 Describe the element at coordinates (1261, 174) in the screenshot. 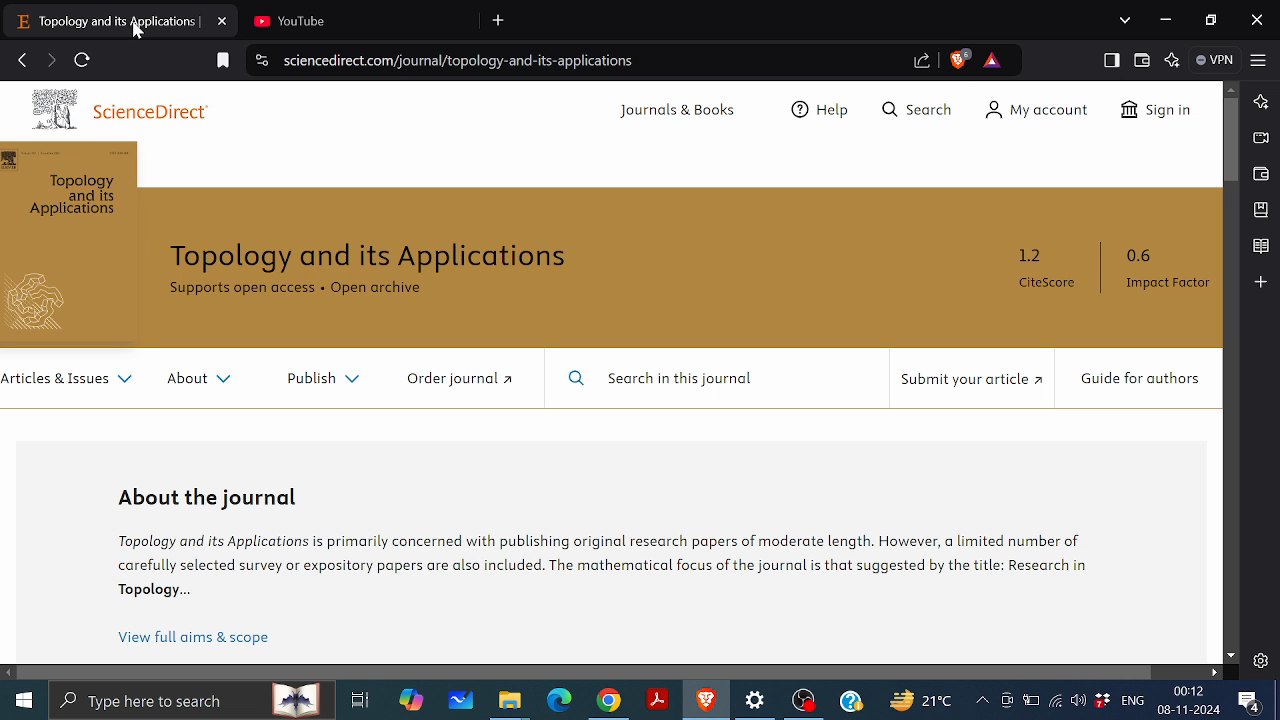

I see `Wallet` at that location.